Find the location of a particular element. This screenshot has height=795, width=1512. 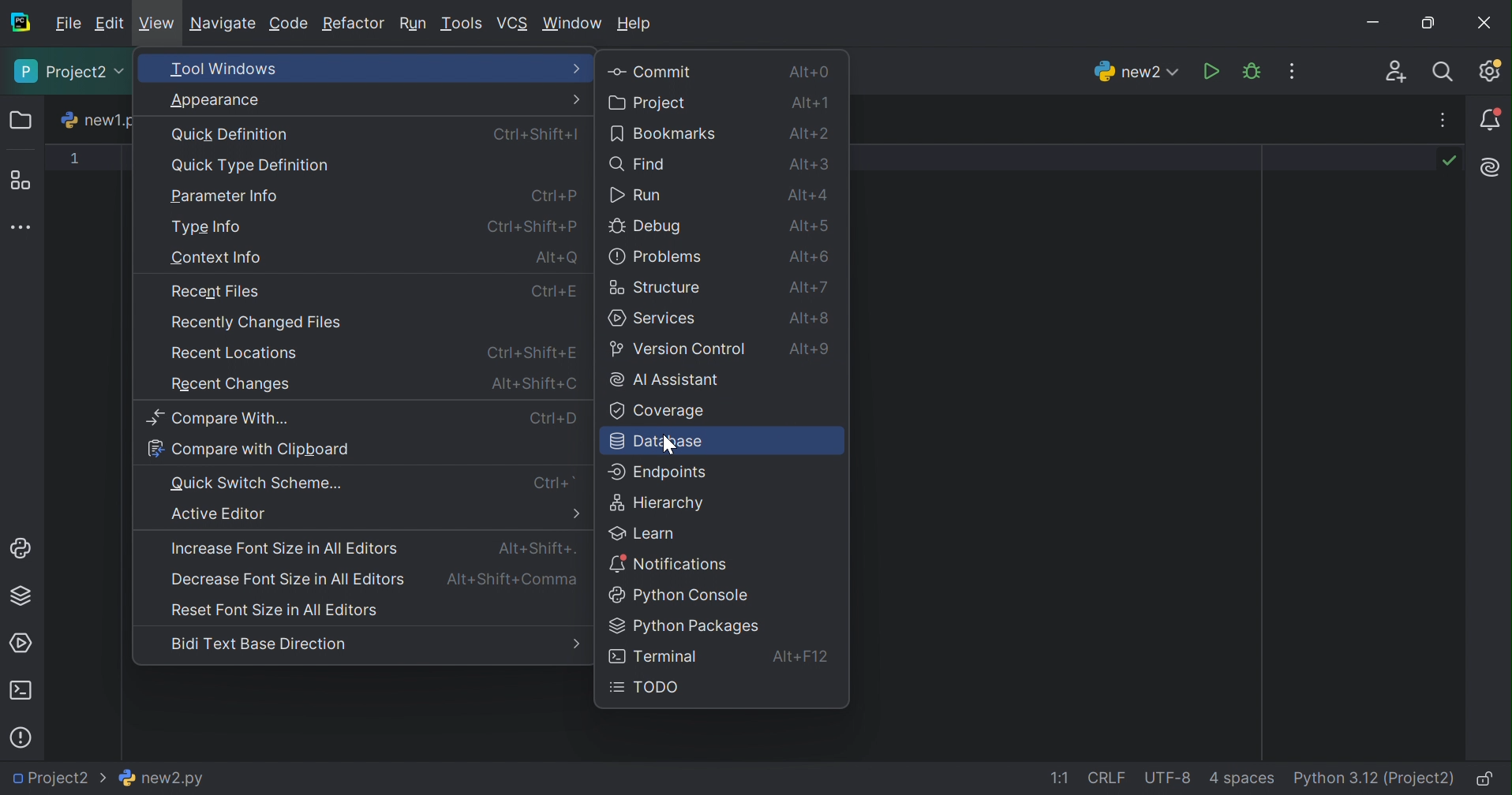

More is located at coordinates (574, 644).